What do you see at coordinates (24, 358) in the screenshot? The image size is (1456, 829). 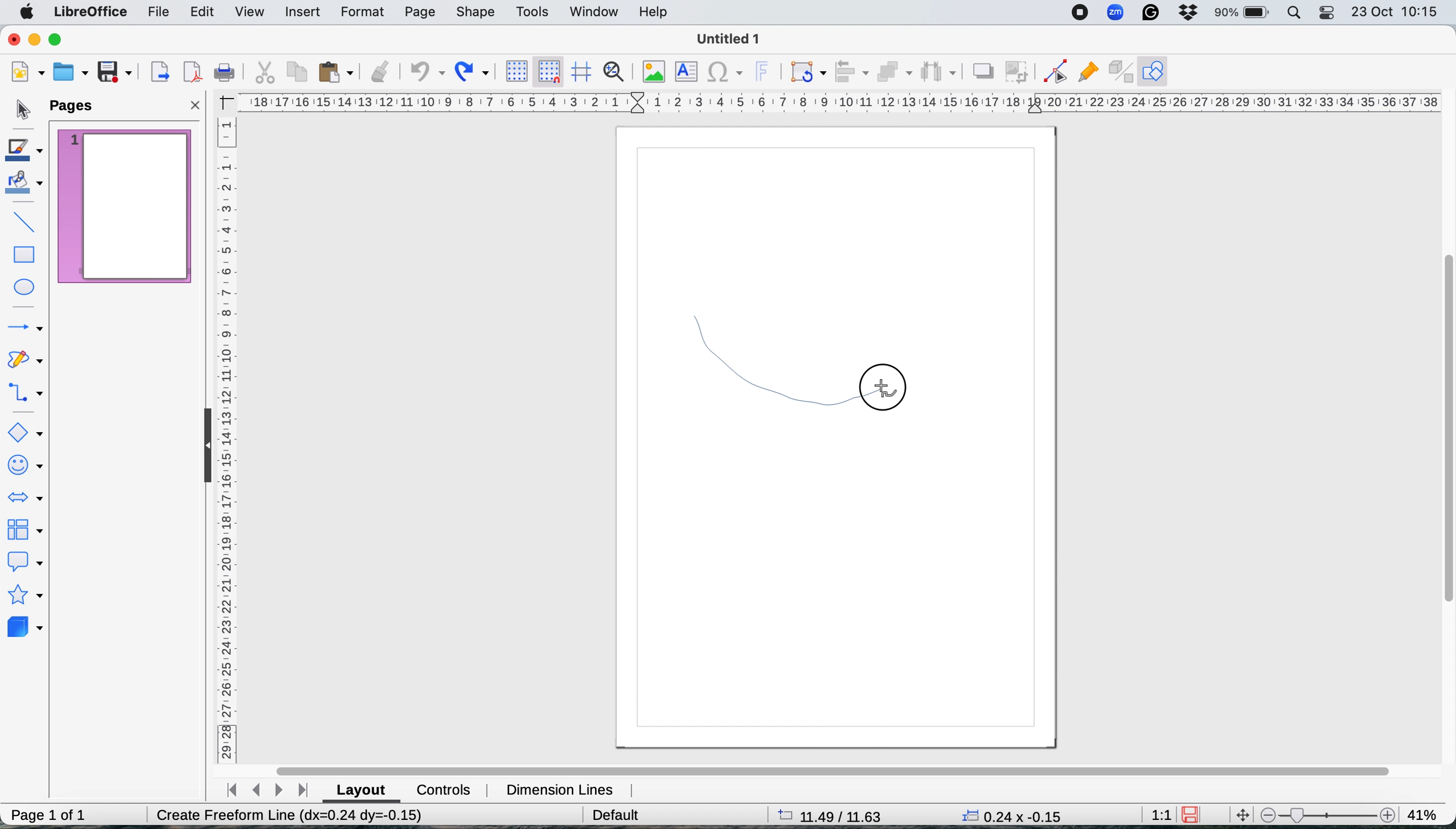 I see `curves and polygons` at bounding box center [24, 358].